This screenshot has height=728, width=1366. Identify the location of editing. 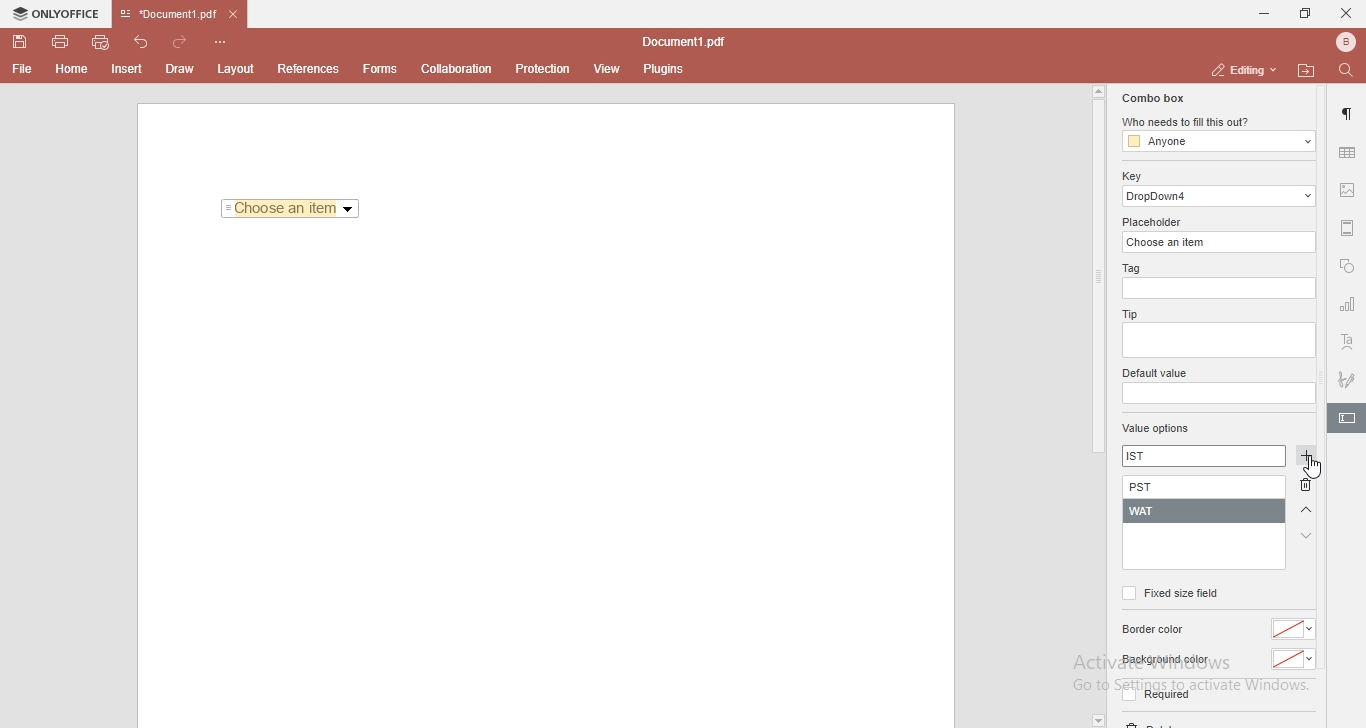
(1241, 69).